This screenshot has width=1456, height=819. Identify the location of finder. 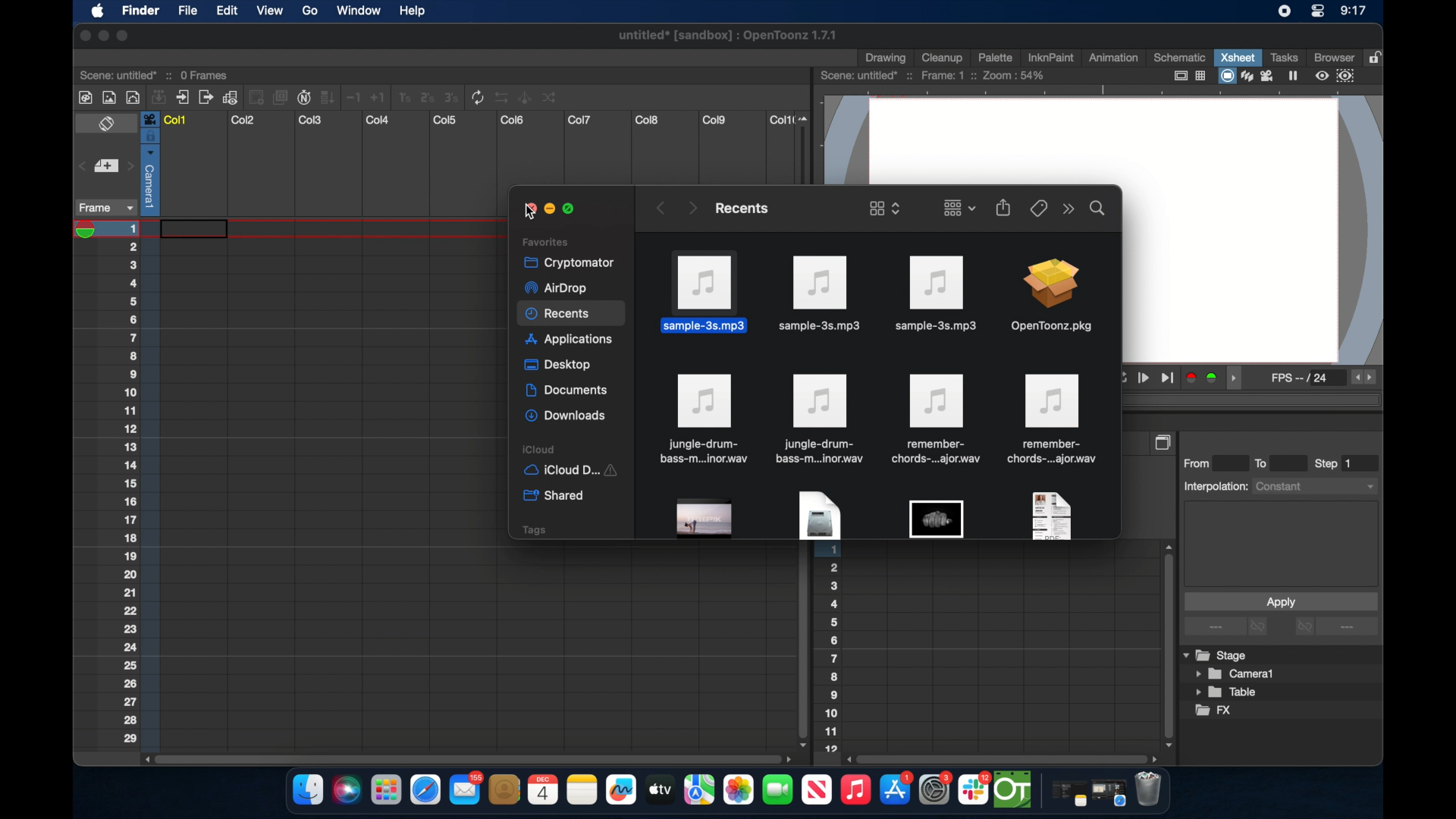
(140, 12).